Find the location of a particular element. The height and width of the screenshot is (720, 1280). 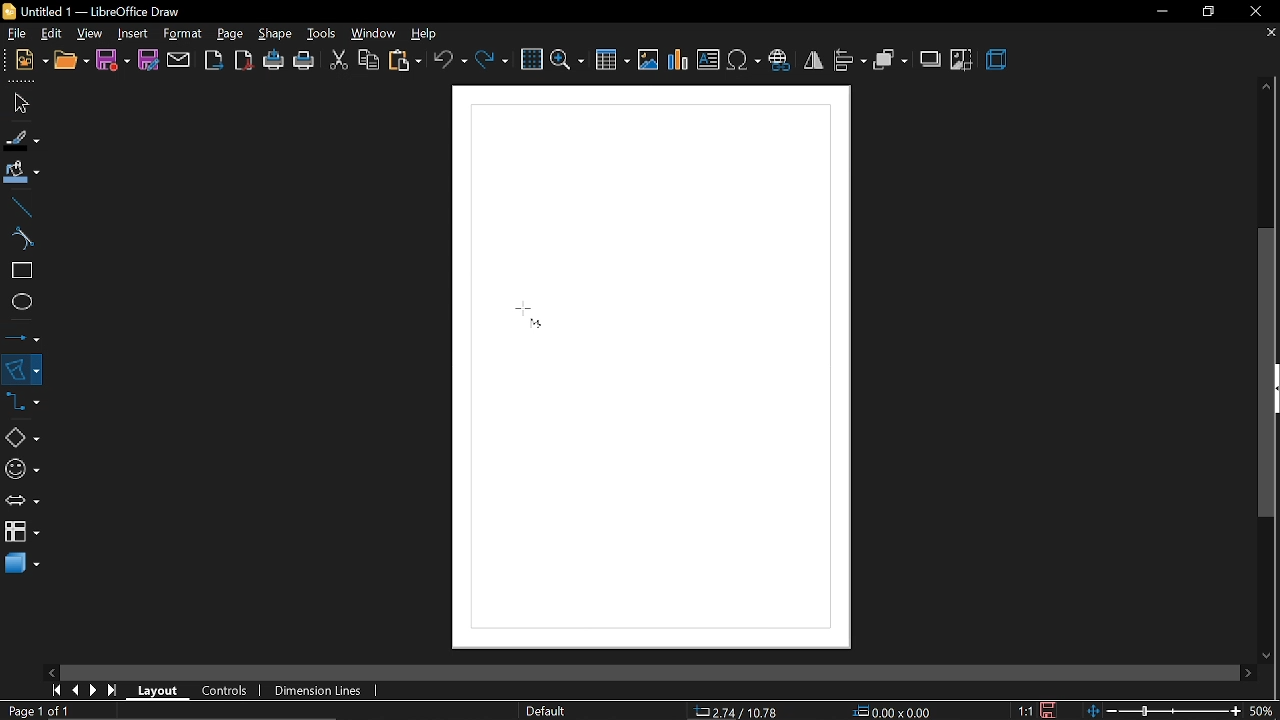

export as pdf is located at coordinates (245, 61).